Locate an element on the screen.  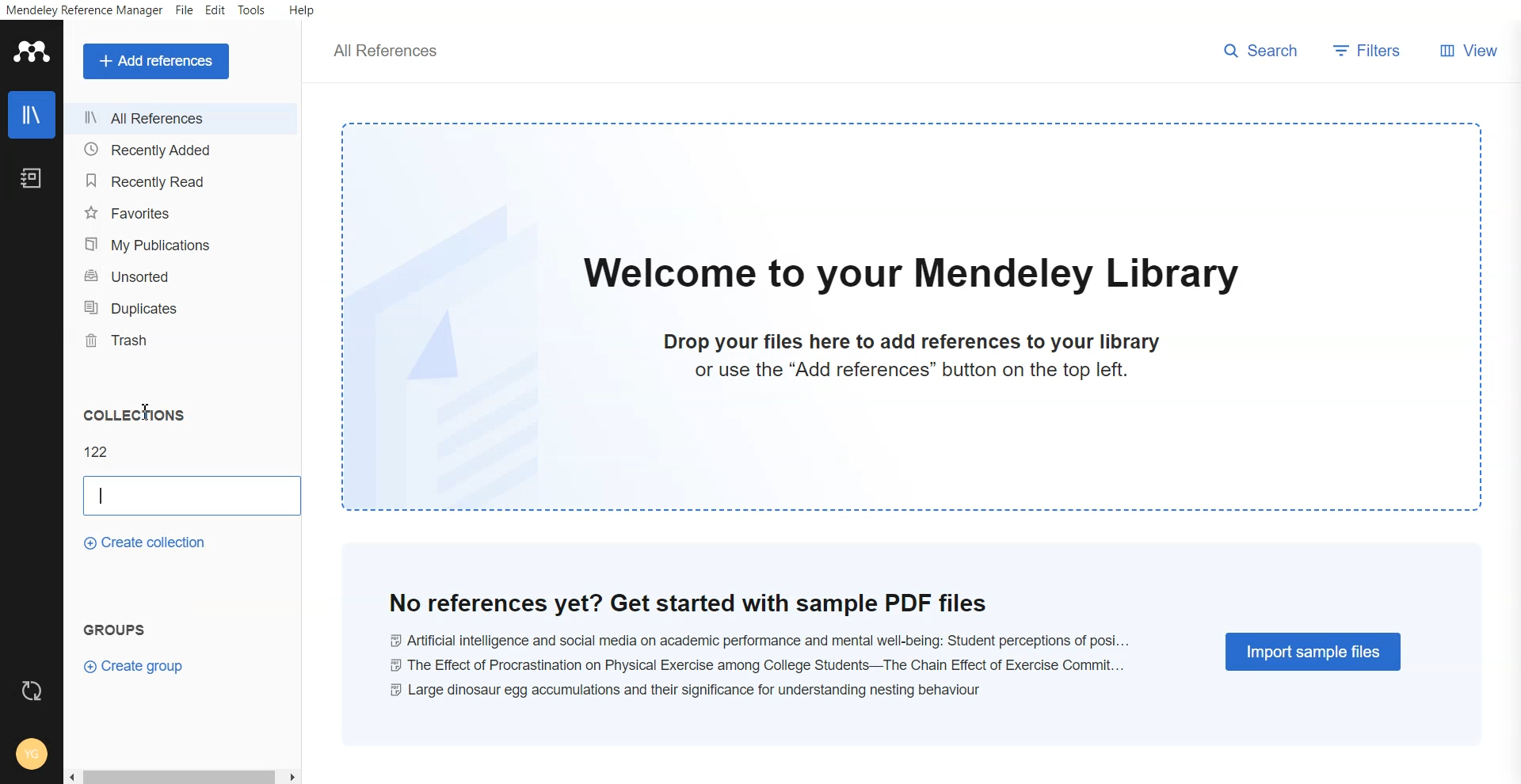
Add a references is located at coordinates (158, 62).